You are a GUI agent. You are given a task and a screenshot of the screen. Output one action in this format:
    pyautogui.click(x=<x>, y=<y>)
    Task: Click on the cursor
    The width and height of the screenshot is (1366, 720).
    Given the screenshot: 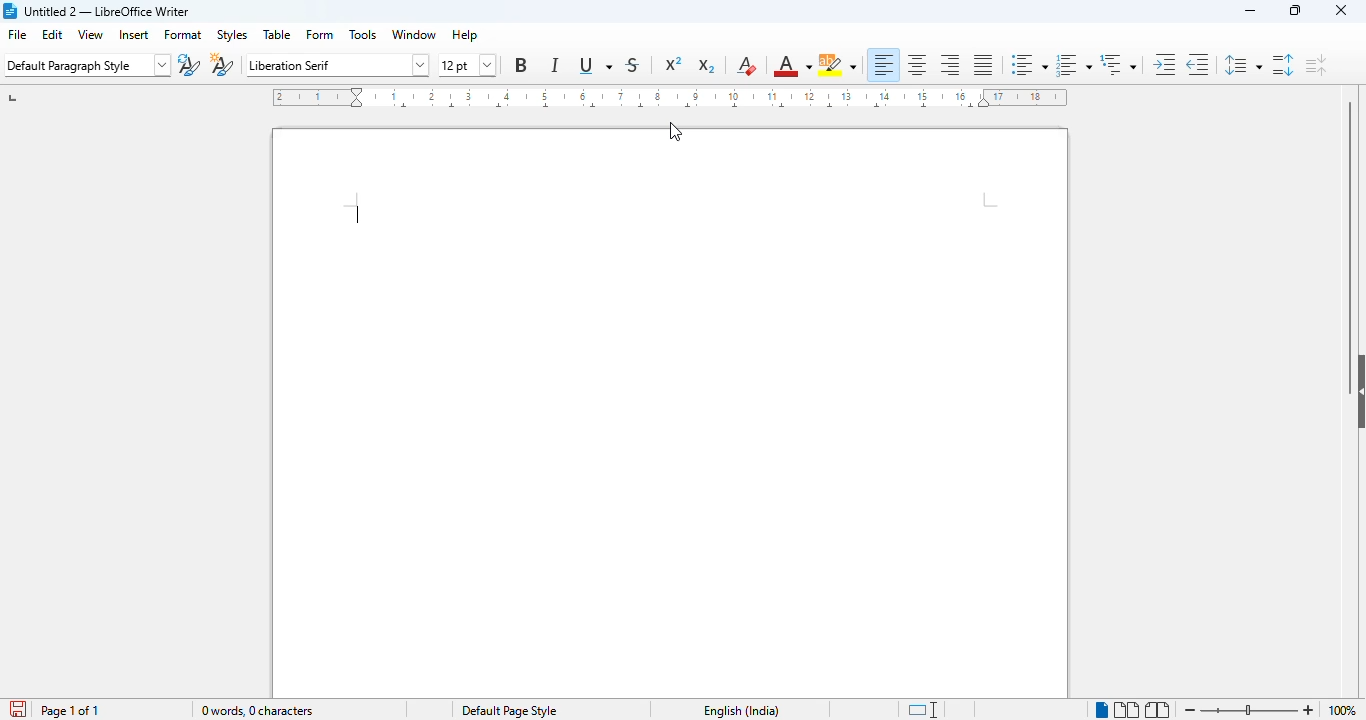 What is the action you would take?
    pyautogui.click(x=675, y=131)
    